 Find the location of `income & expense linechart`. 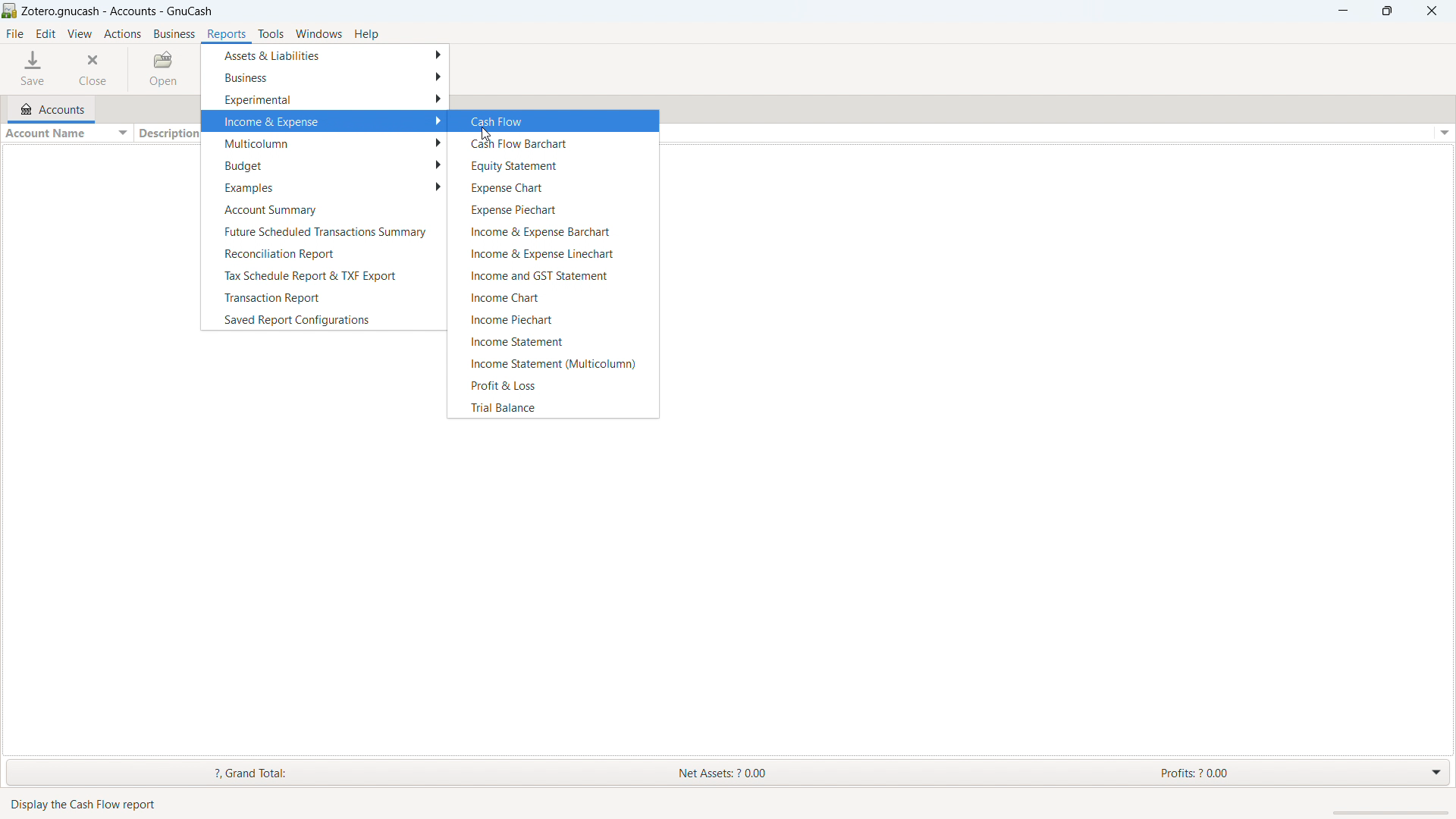

income & expense linechart is located at coordinates (554, 253).